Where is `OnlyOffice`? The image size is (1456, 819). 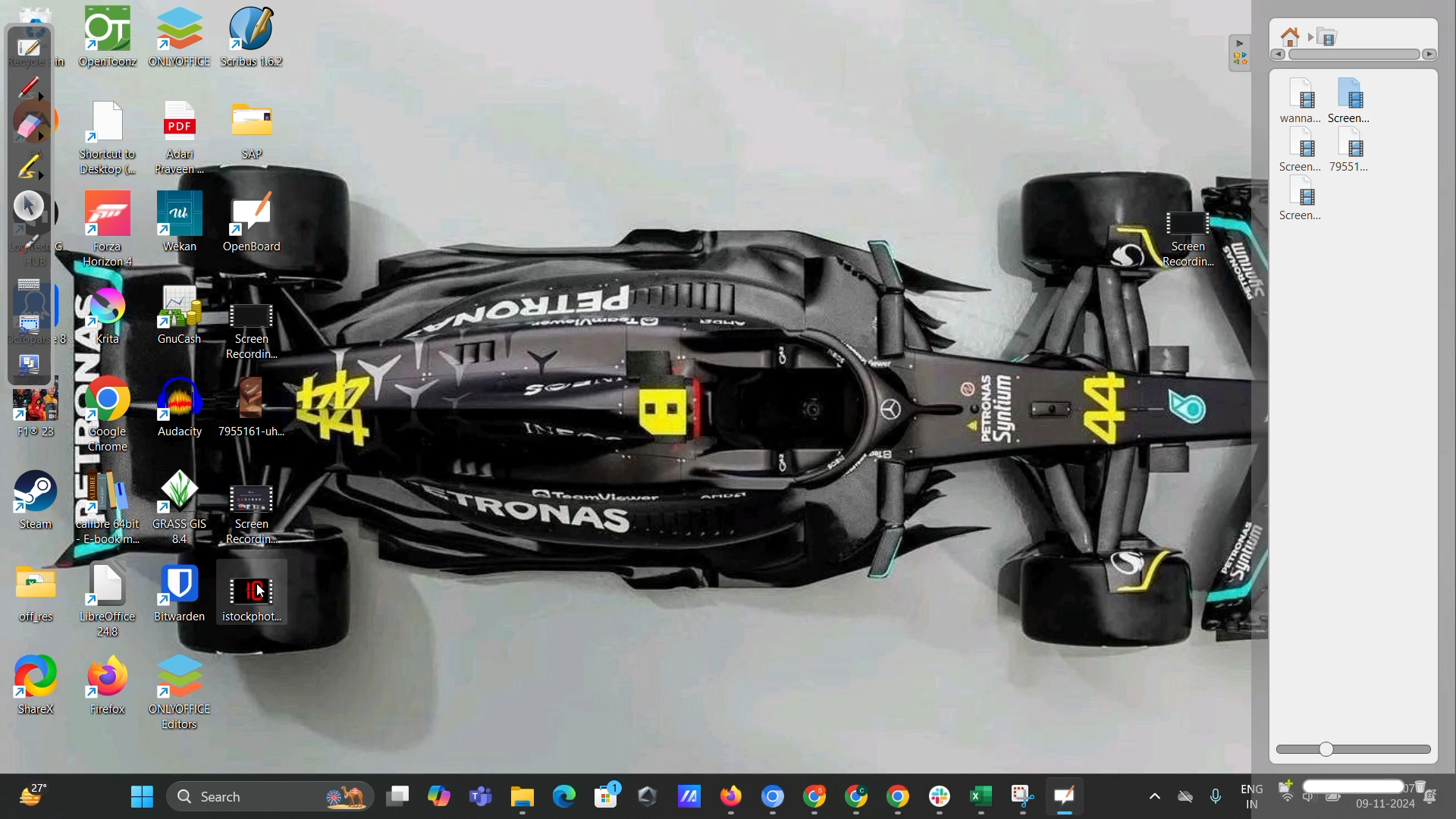
OnlyOffice is located at coordinates (183, 41).